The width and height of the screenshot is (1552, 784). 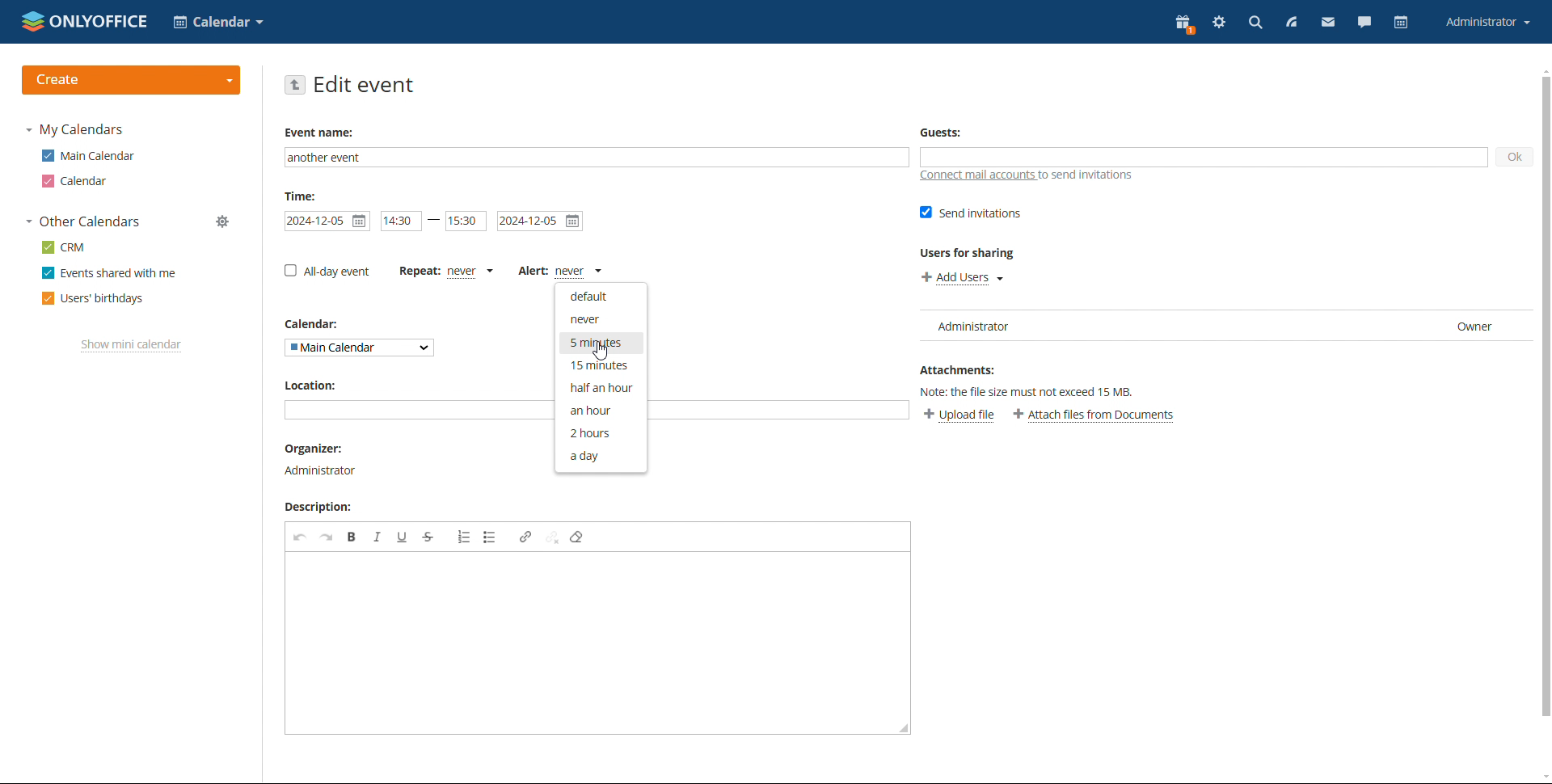 What do you see at coordinates (309, 385) in the screenshot?
I see `Location:` at bounding box center [309, 385].